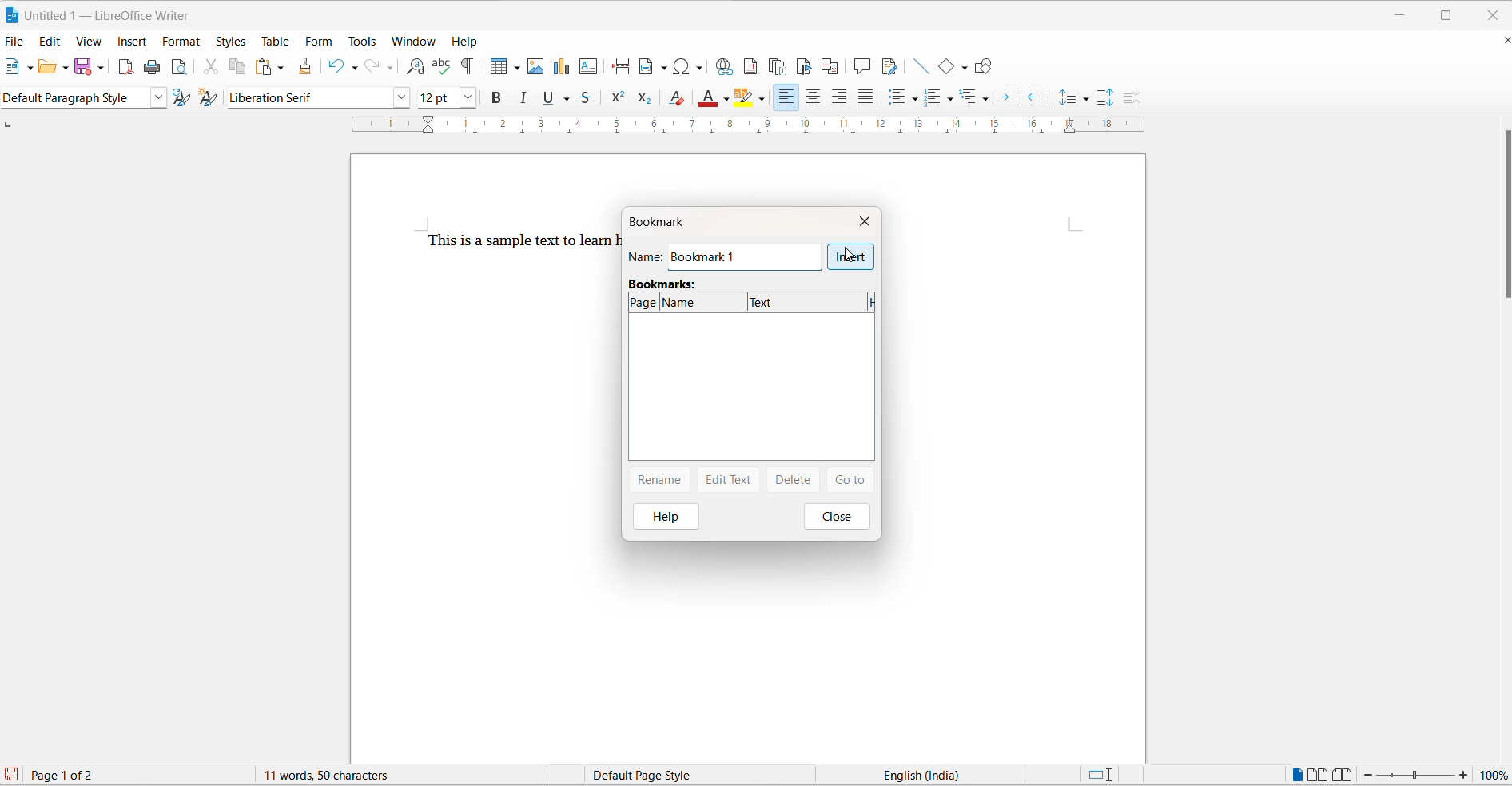  I want to click on save, so click(82, 67).